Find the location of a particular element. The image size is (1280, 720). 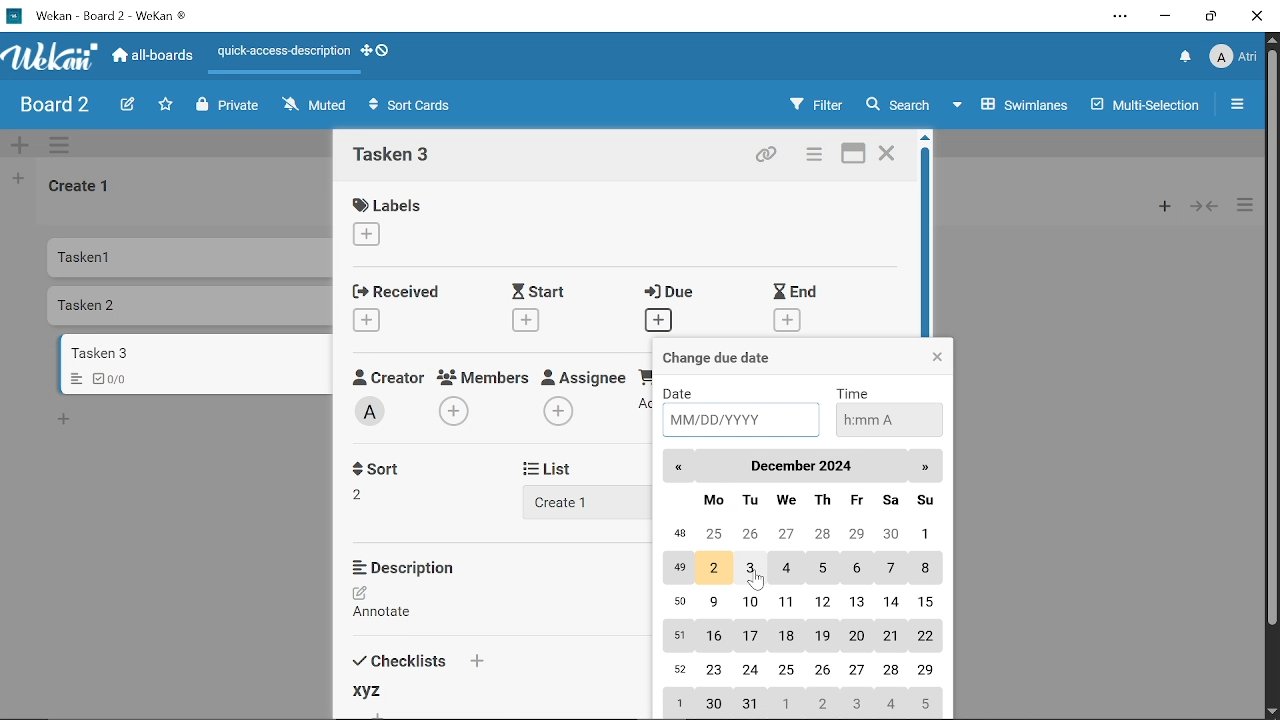

Add assignee is located at coordinates (558, 412).